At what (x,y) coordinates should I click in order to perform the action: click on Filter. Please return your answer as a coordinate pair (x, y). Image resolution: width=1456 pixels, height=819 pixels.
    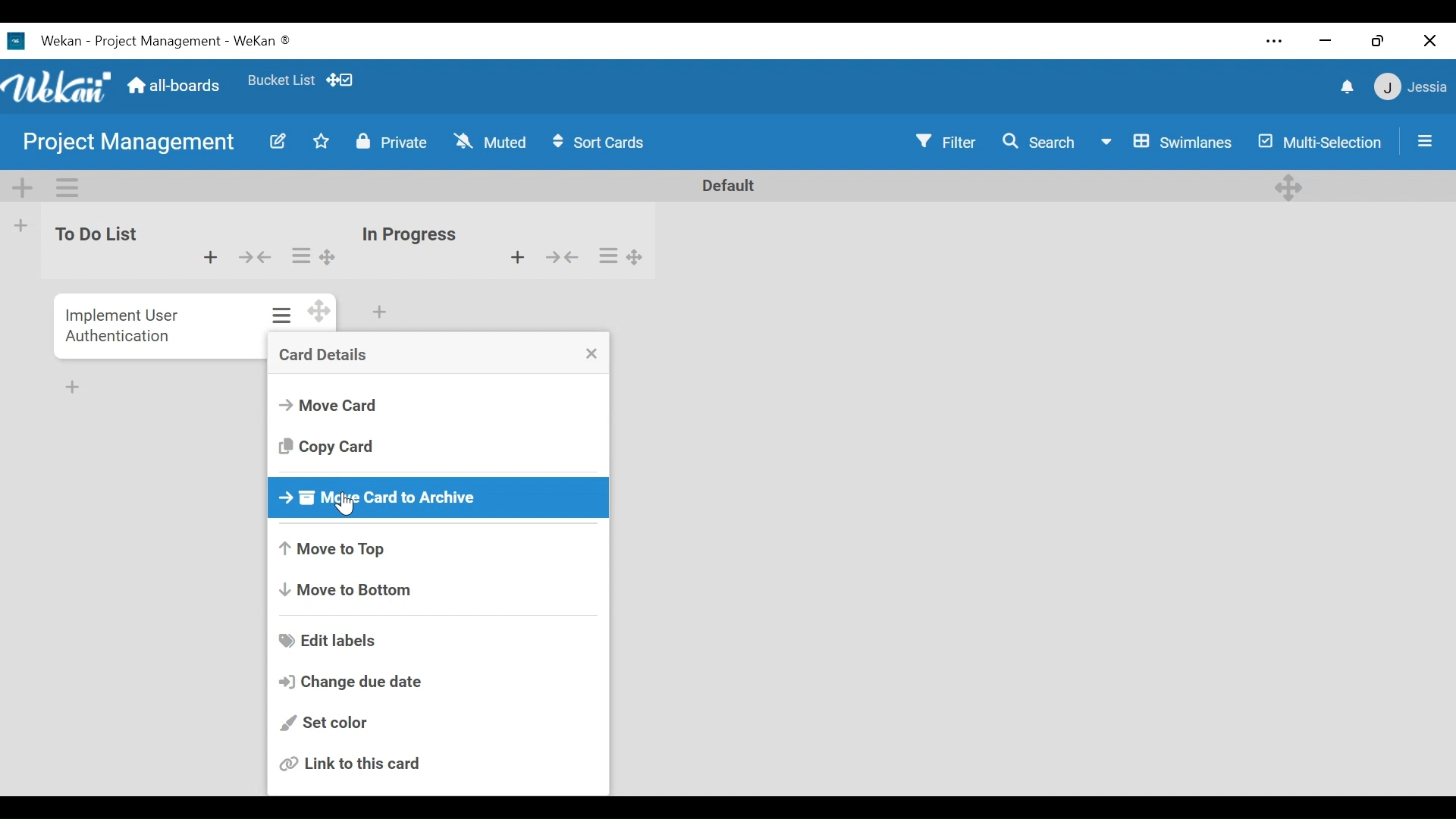
    Looking at the image, I should click on (946, 142).